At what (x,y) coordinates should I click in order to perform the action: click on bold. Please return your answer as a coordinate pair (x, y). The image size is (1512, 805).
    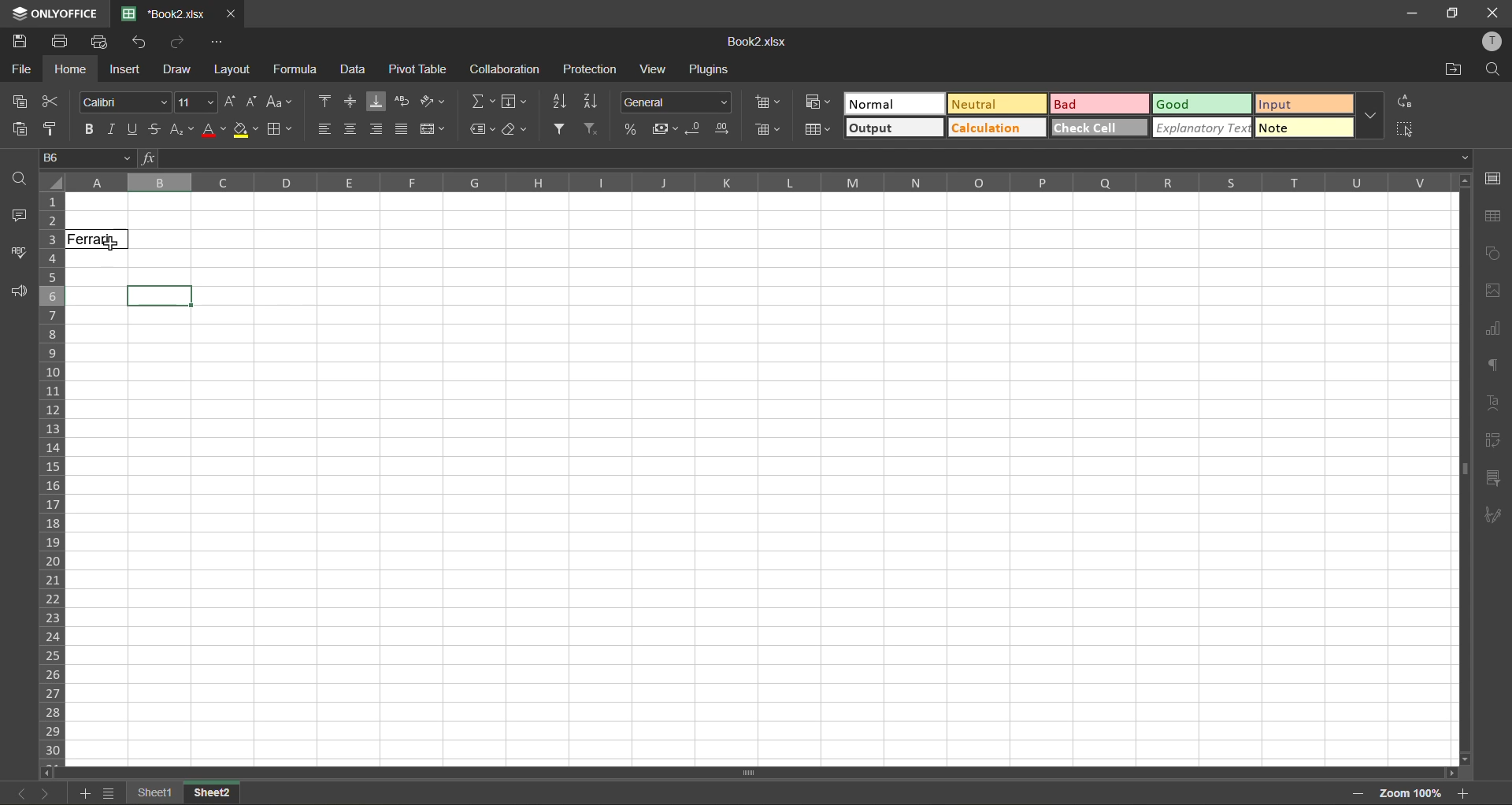
    Looking at the image, I should click on (91, 131).